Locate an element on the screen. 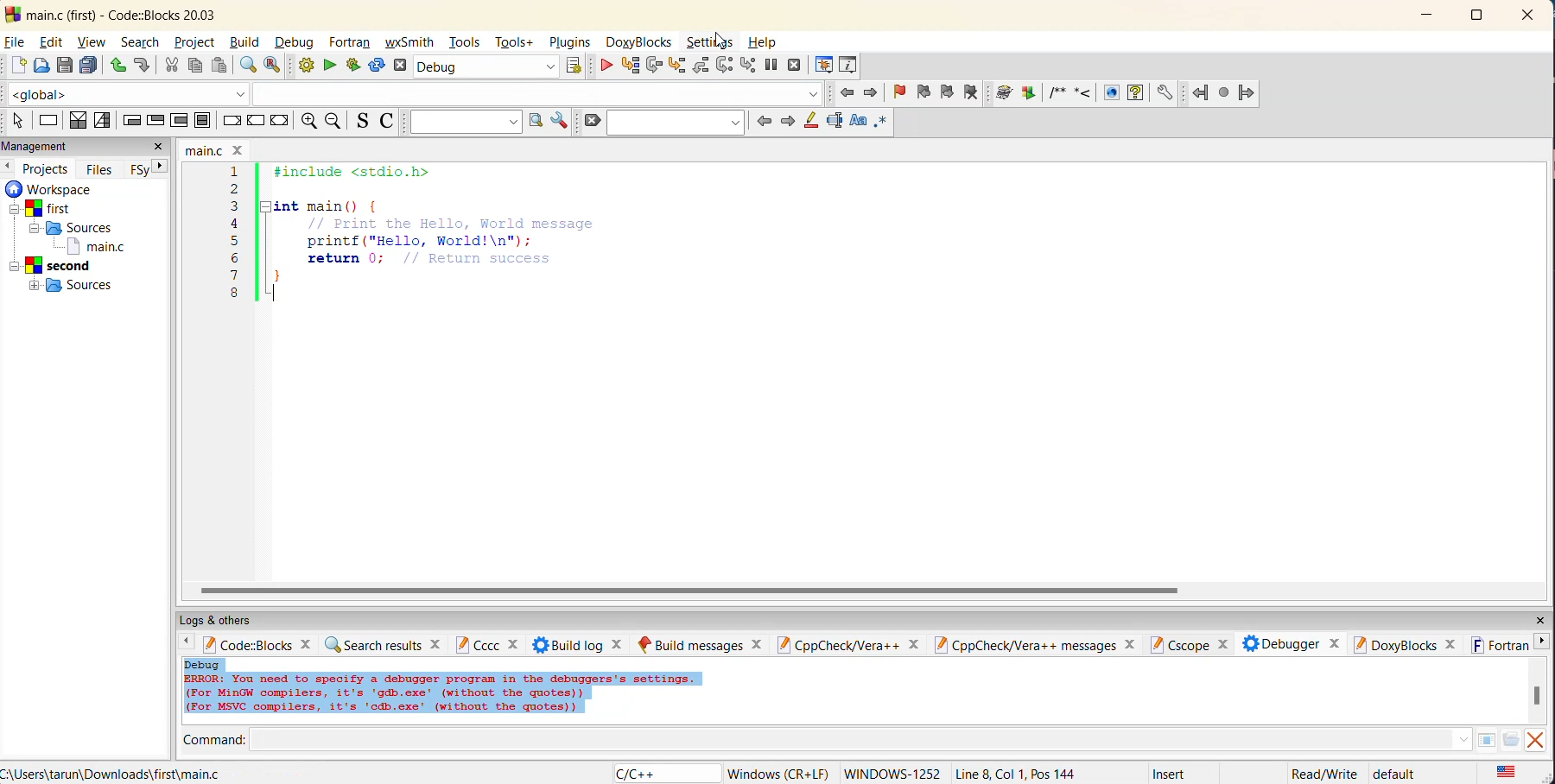 The height and width of the screenshot is (784, 1555). doxyblocks is located at coordinates (642, 42).